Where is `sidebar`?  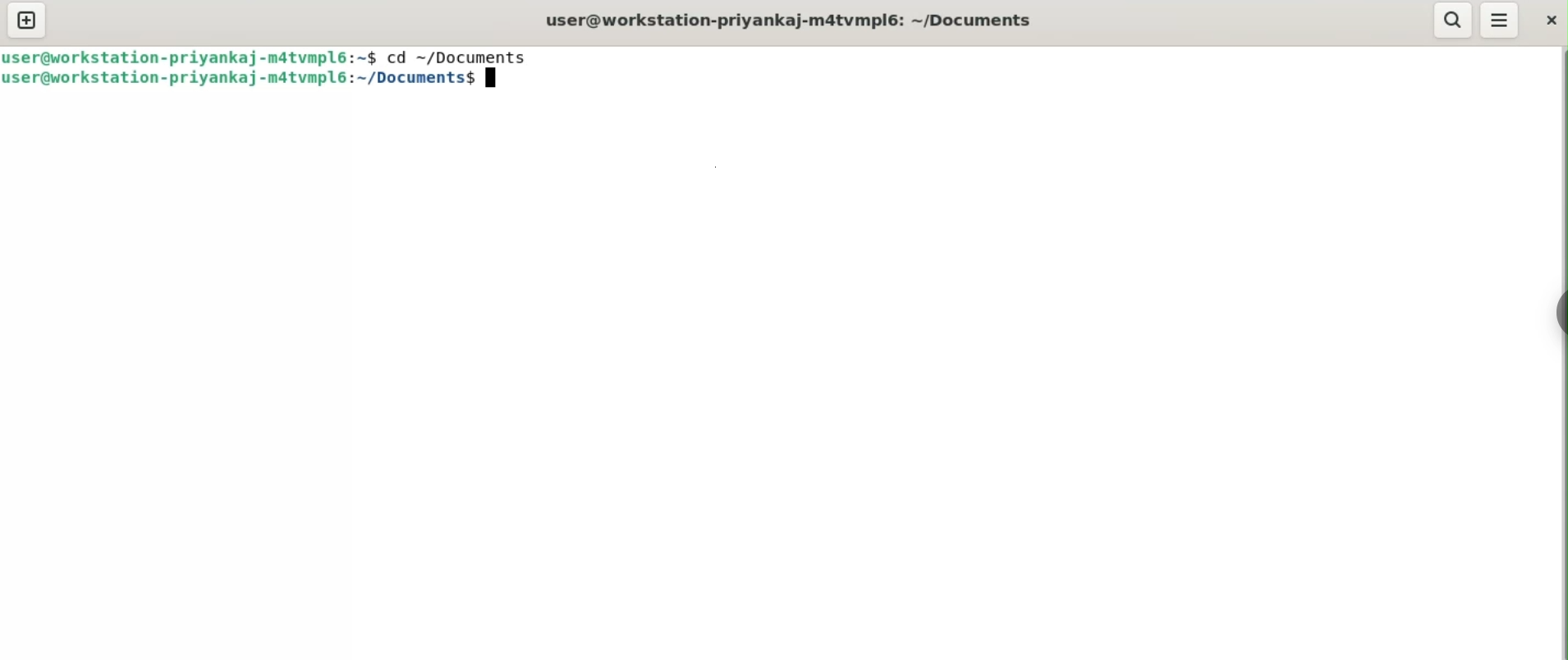
sidebar is located at coordinates (1557, 312).